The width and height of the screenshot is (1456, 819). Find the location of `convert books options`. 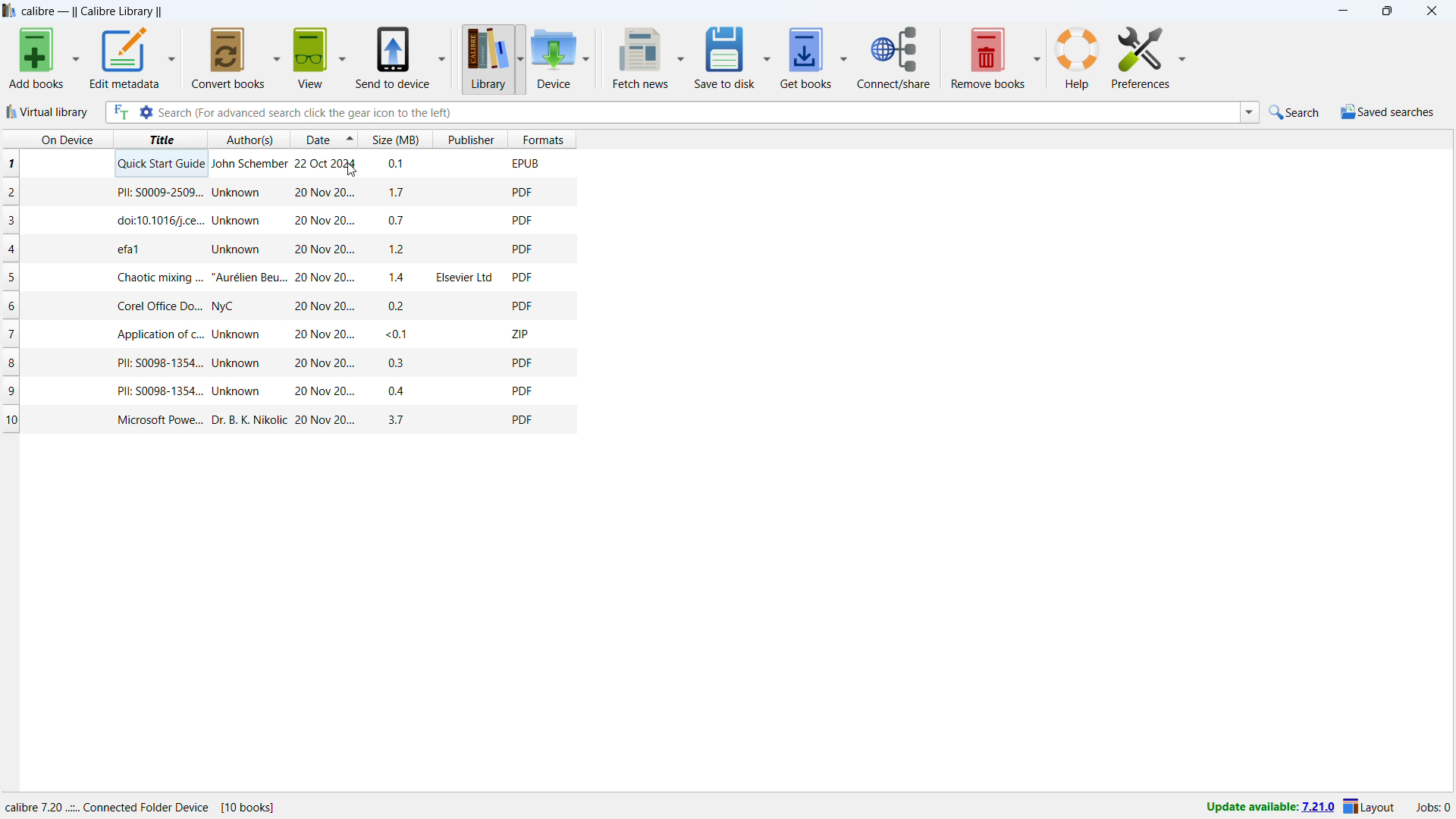

convert books options is located at coordinates (276, 56).